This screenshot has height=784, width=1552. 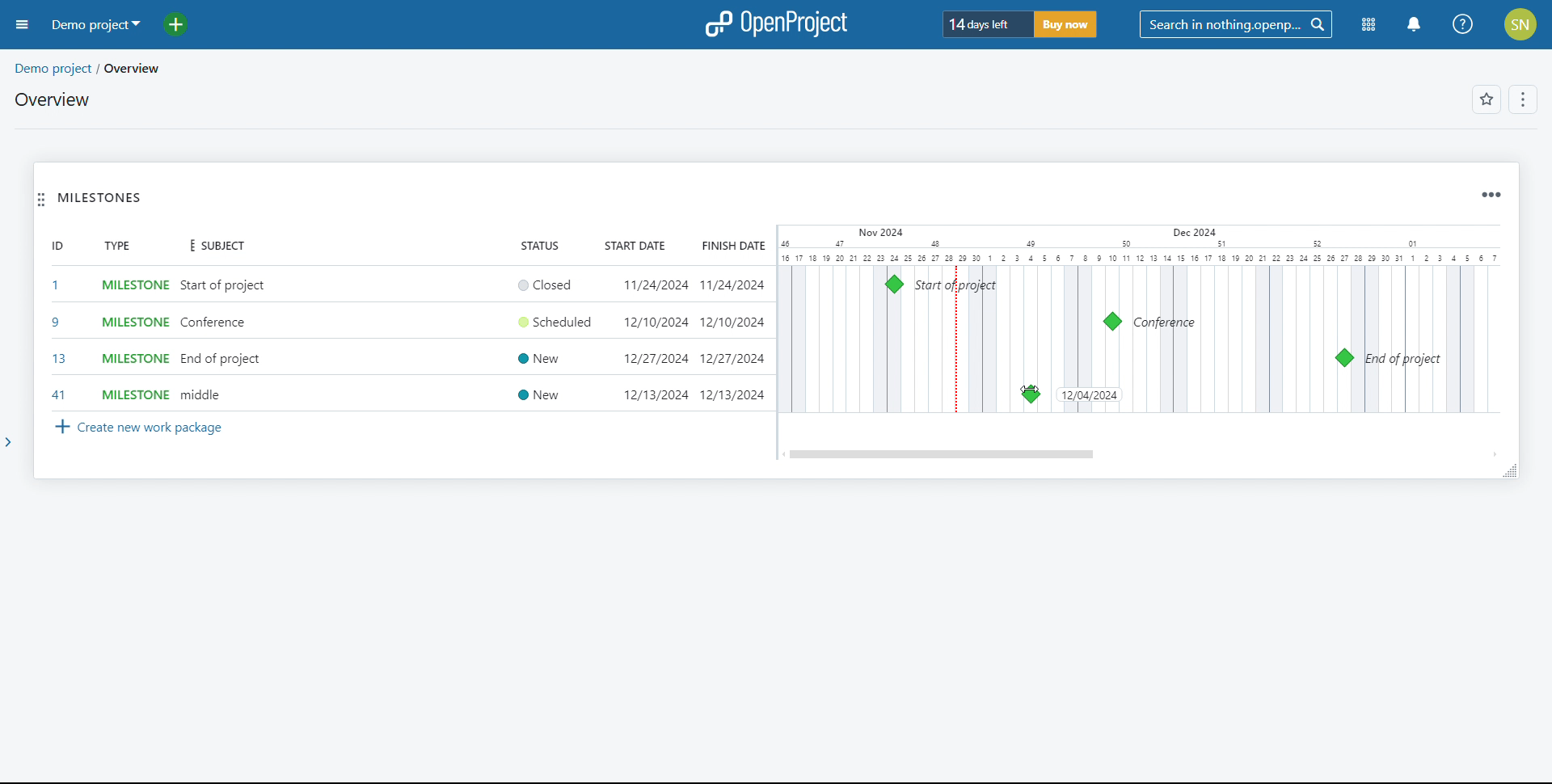 I want to click on set milestone, so click(x=133, y=340).